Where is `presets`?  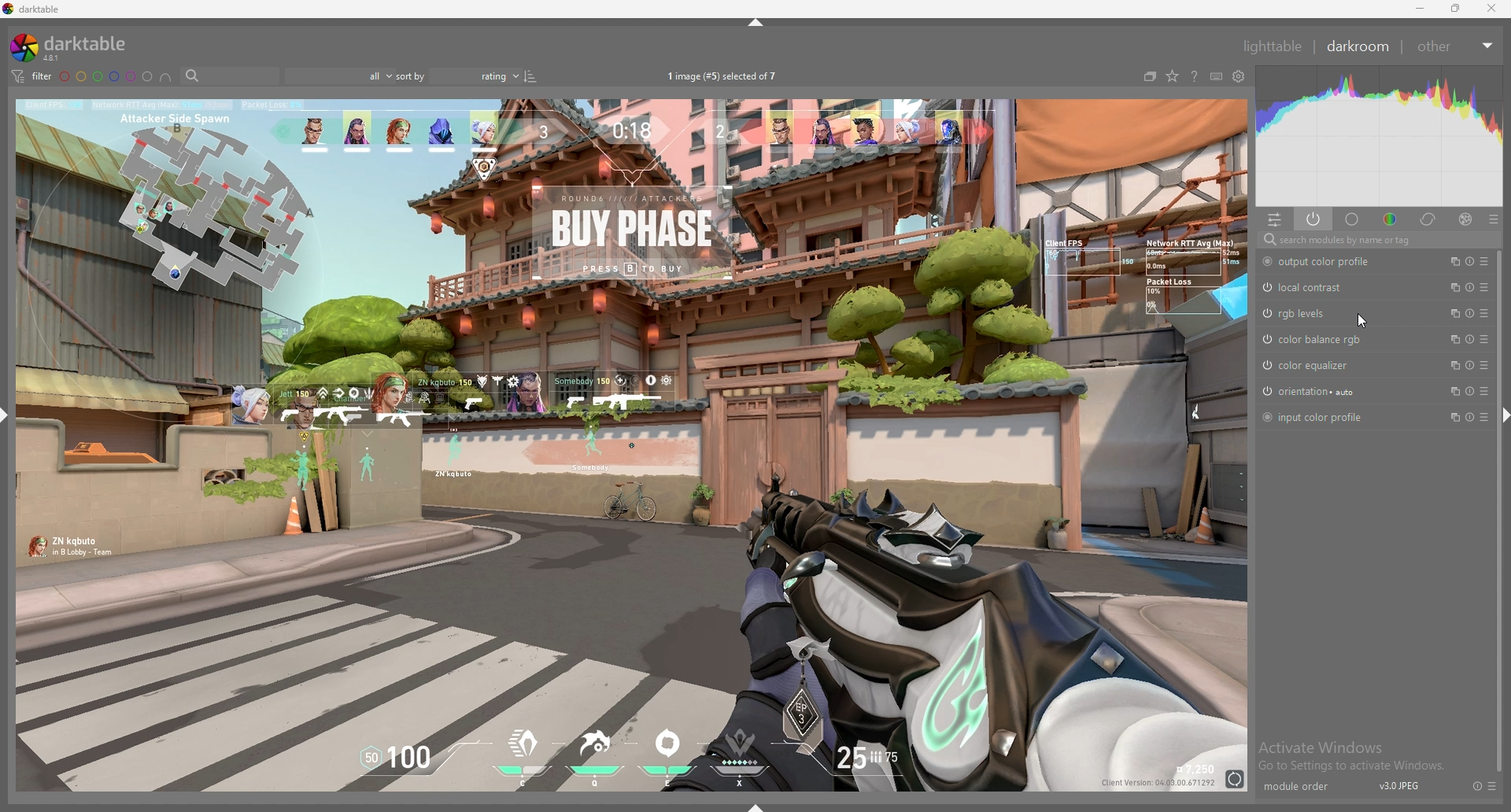 presets is located at coordinates (1483, 366).